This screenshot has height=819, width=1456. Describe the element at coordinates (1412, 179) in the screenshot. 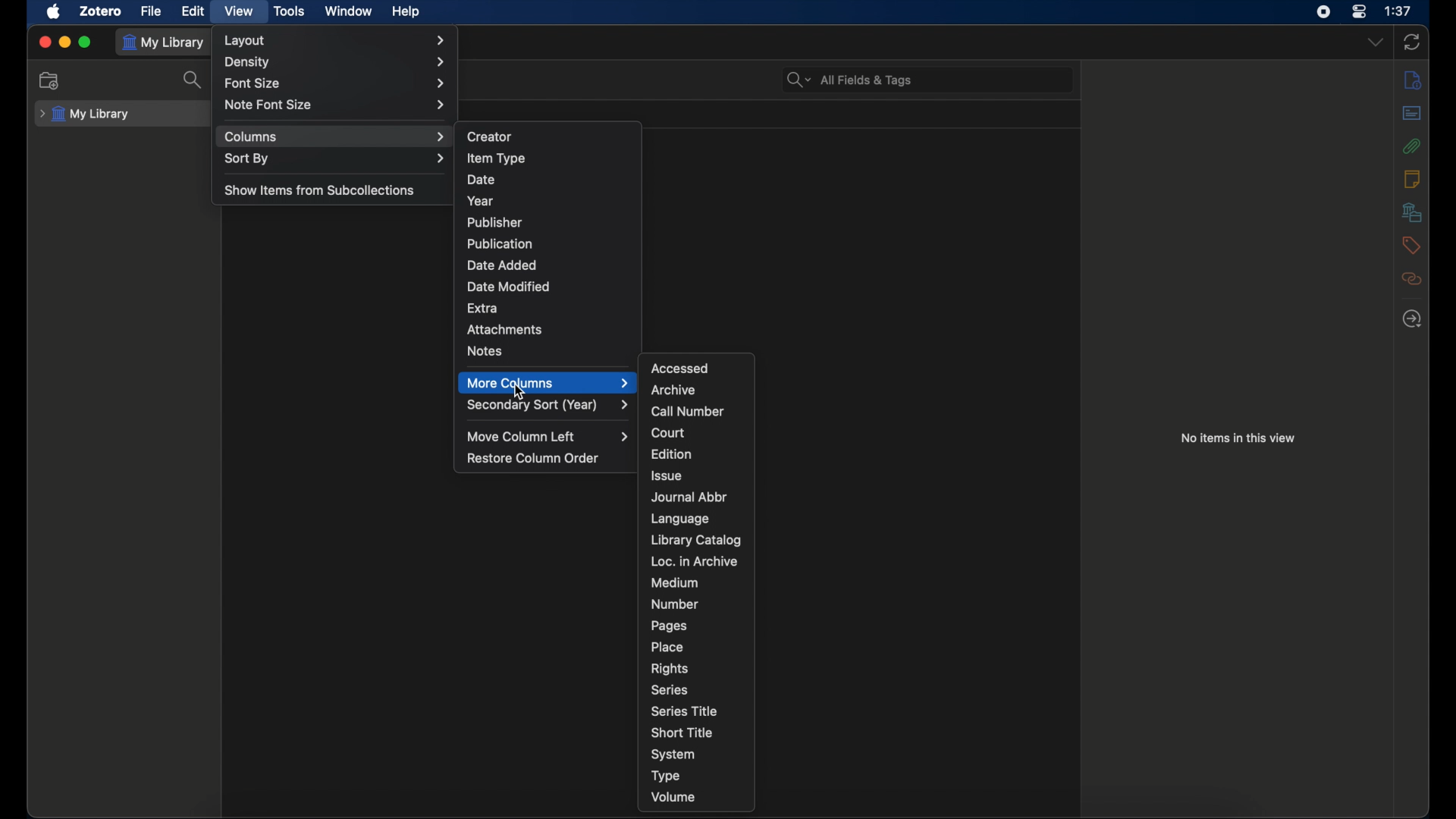

I see `notes` at that location.